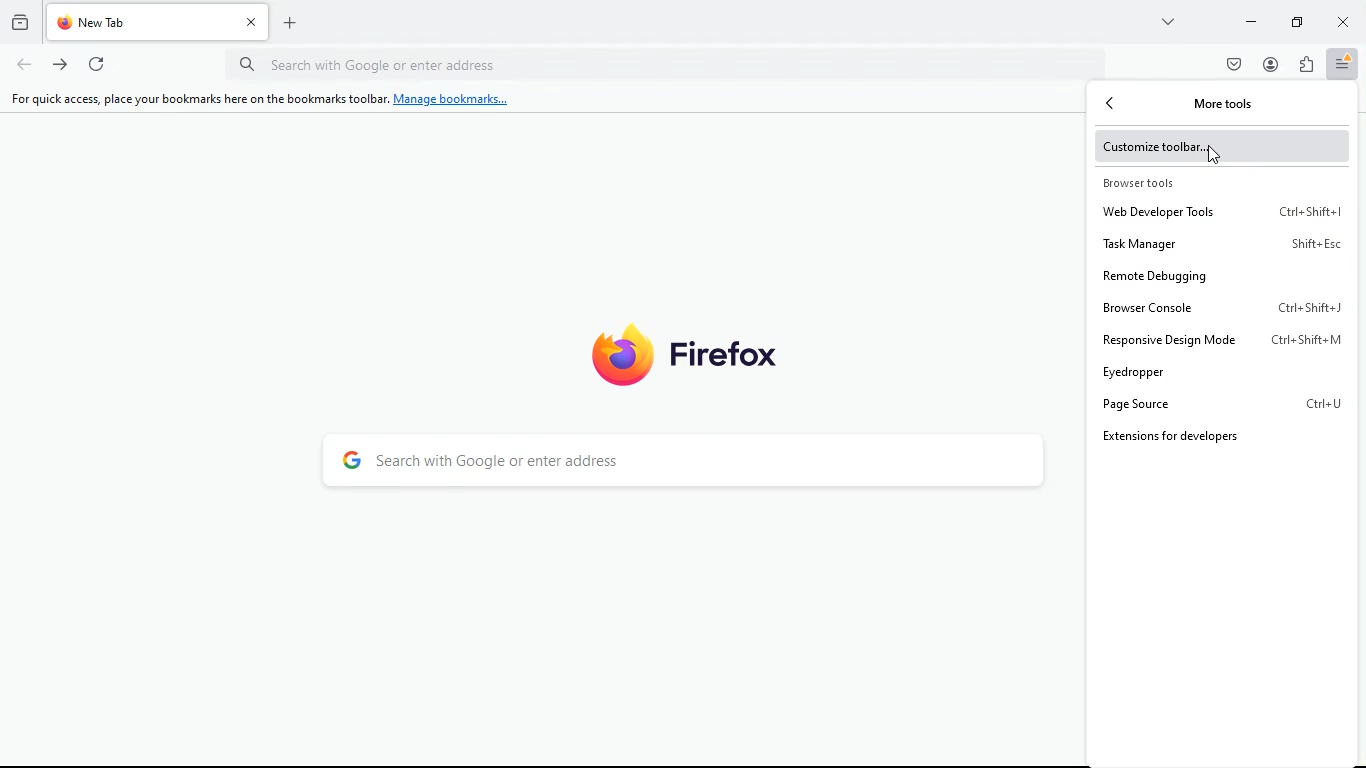  I want to click on page source, so click(1219, 407).